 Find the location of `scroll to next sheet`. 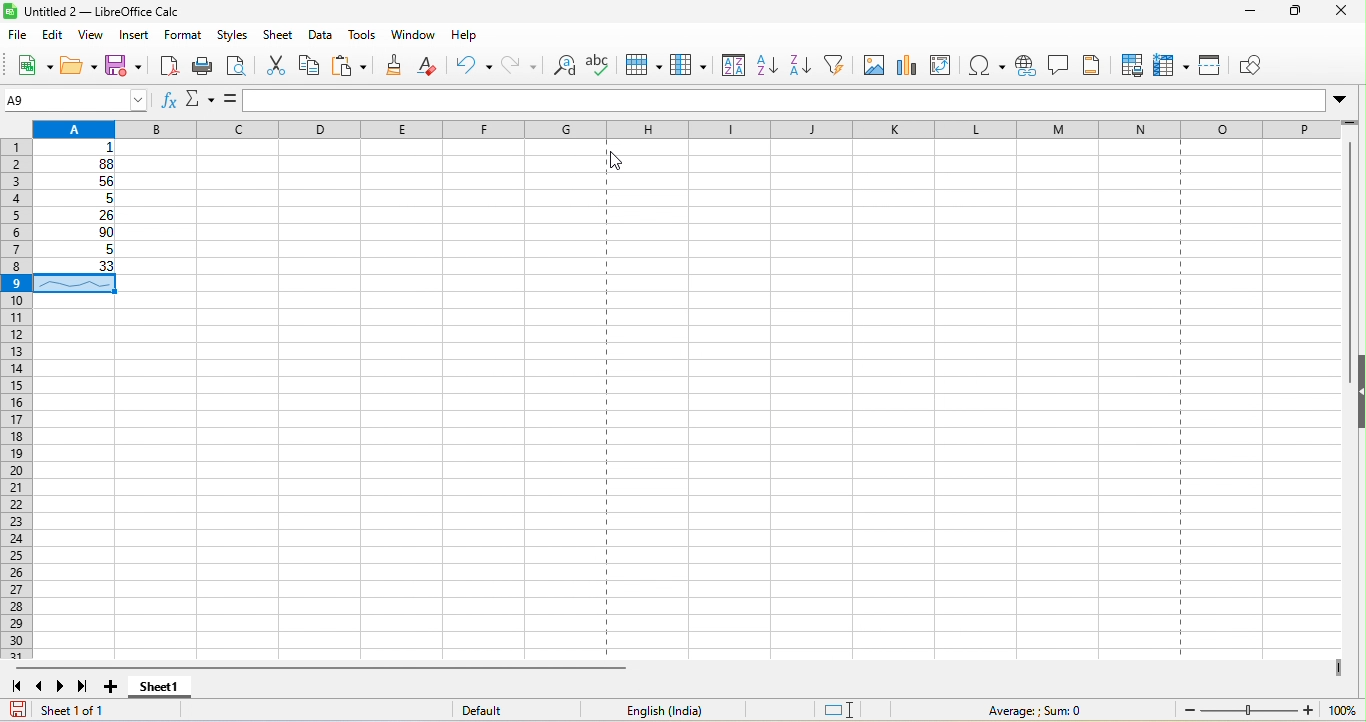

scroll to next sheet is located at coordinates (65, 689).